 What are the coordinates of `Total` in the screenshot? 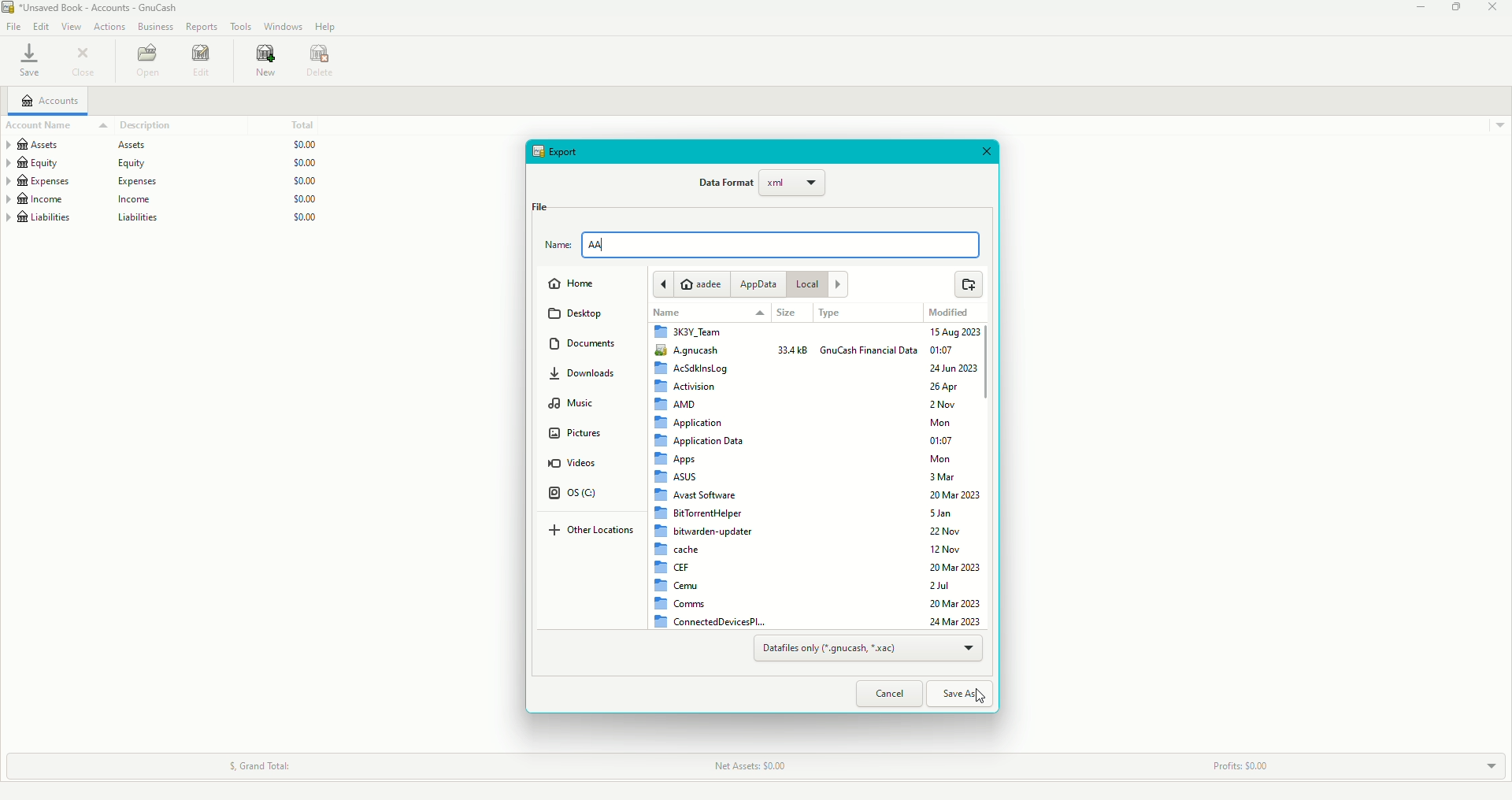 It's located at (306, 122).